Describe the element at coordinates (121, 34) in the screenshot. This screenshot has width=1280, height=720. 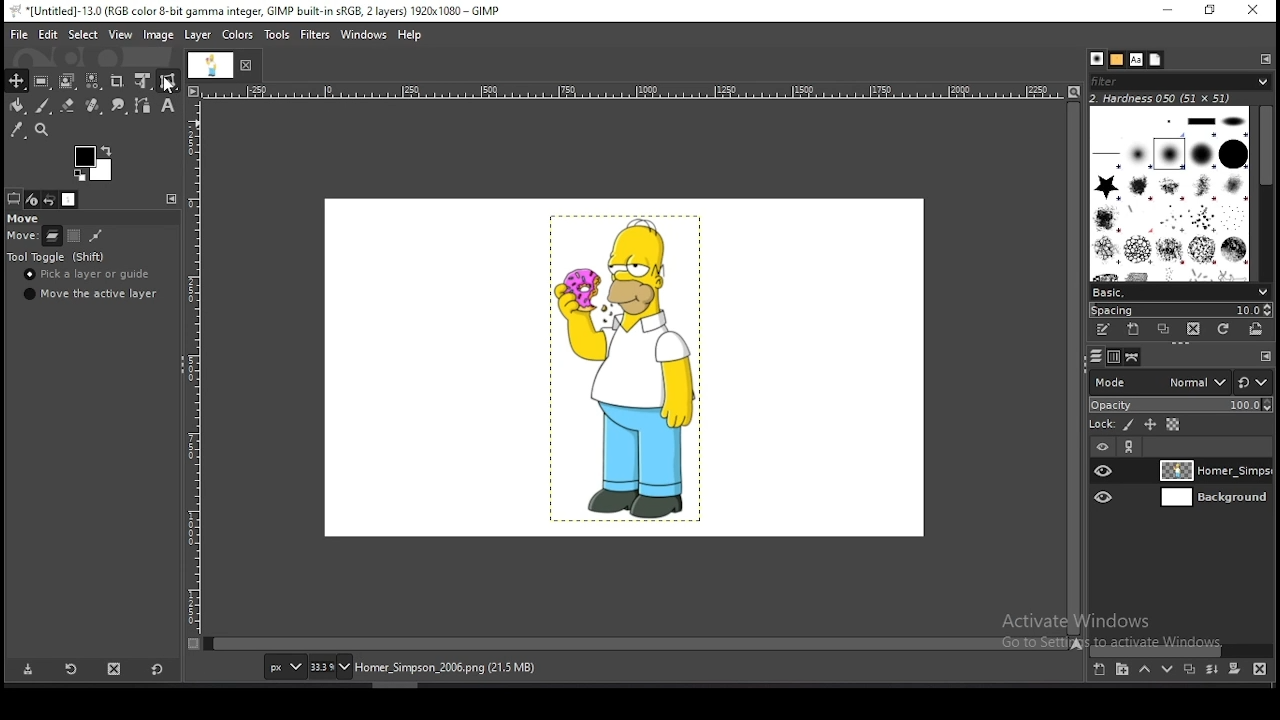
I see `view` at that location.